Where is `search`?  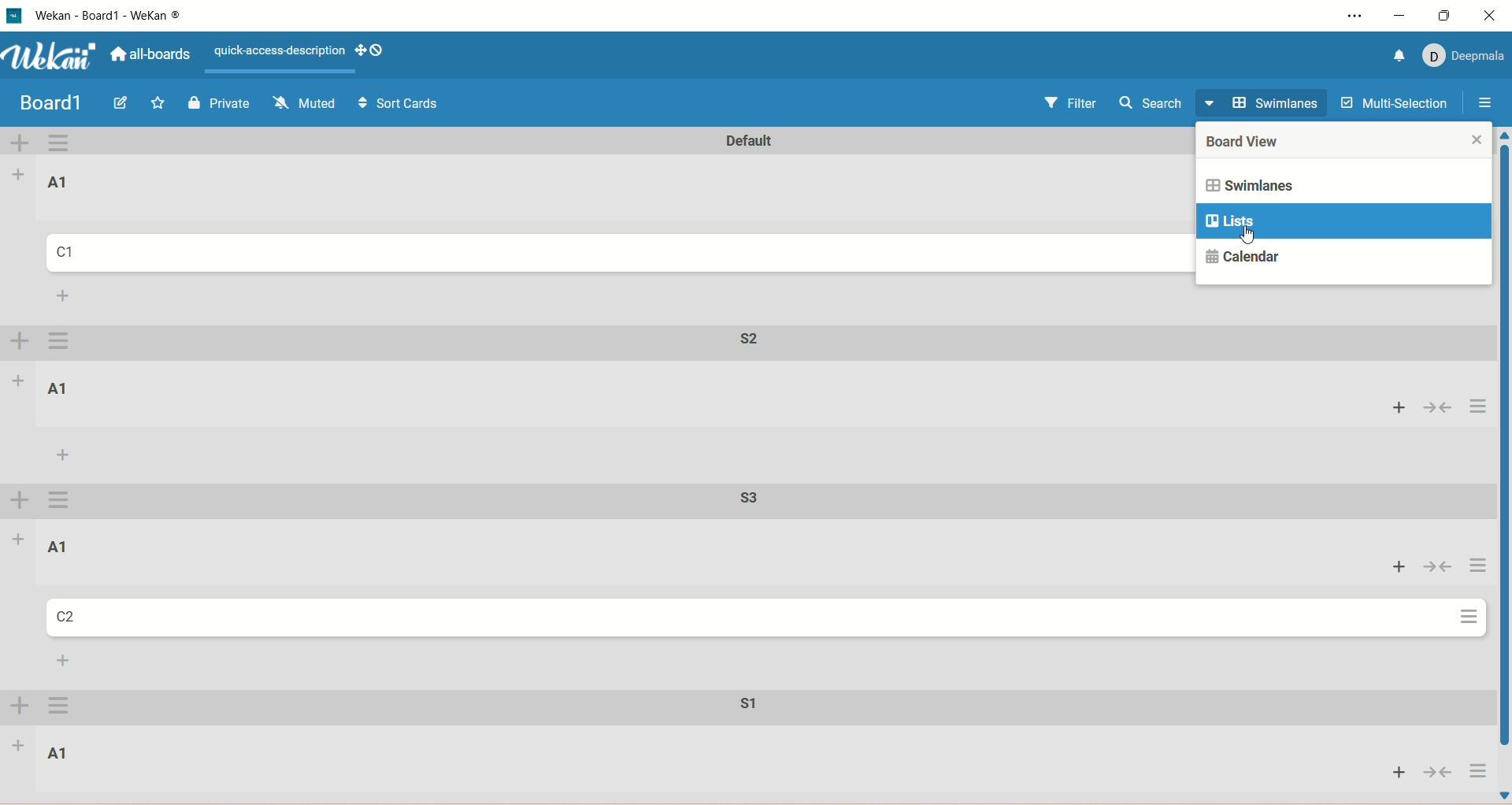
search is located at coordinates (1153, 107).